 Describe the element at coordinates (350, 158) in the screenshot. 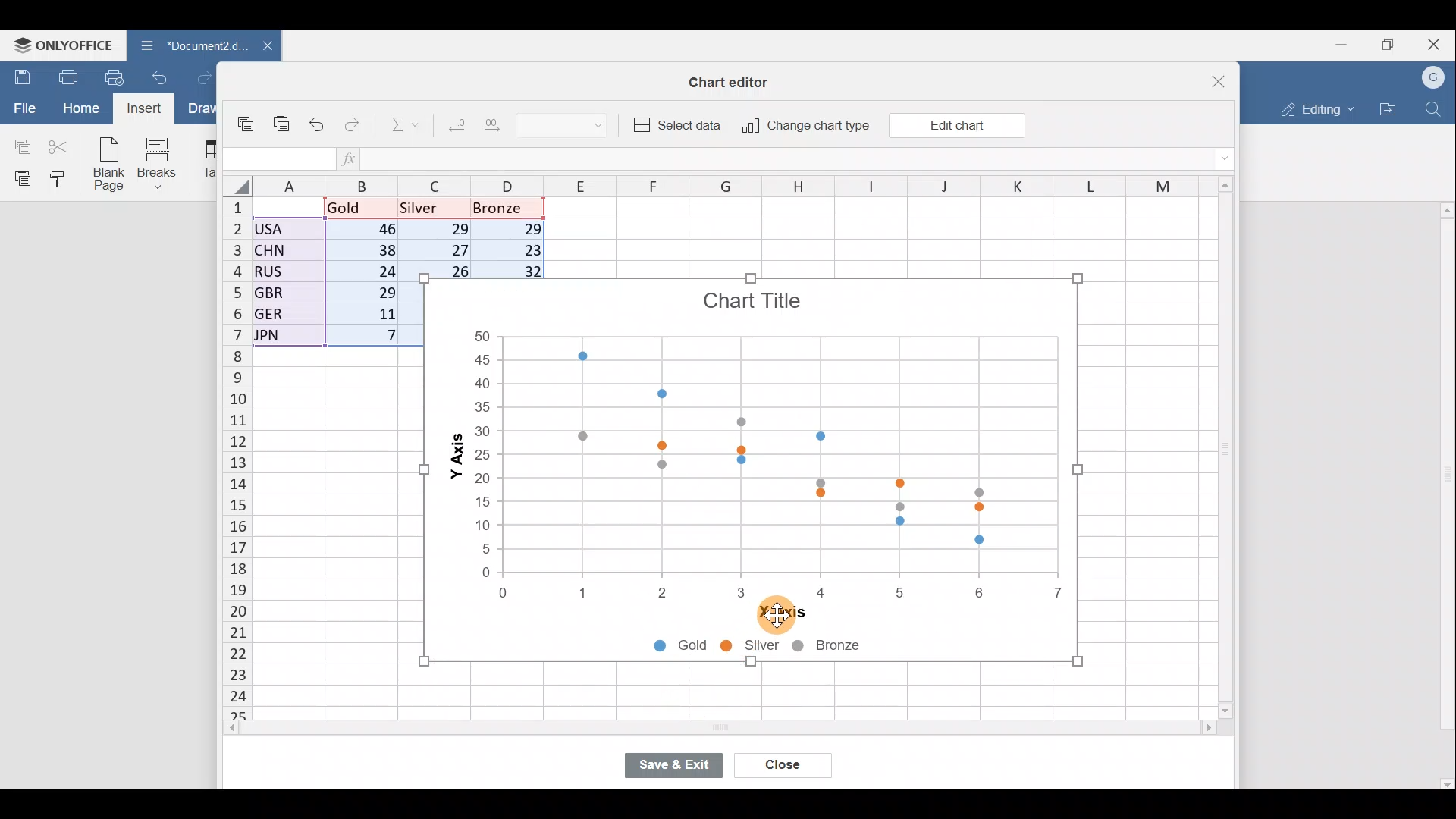

I see `Insert function` at that location.